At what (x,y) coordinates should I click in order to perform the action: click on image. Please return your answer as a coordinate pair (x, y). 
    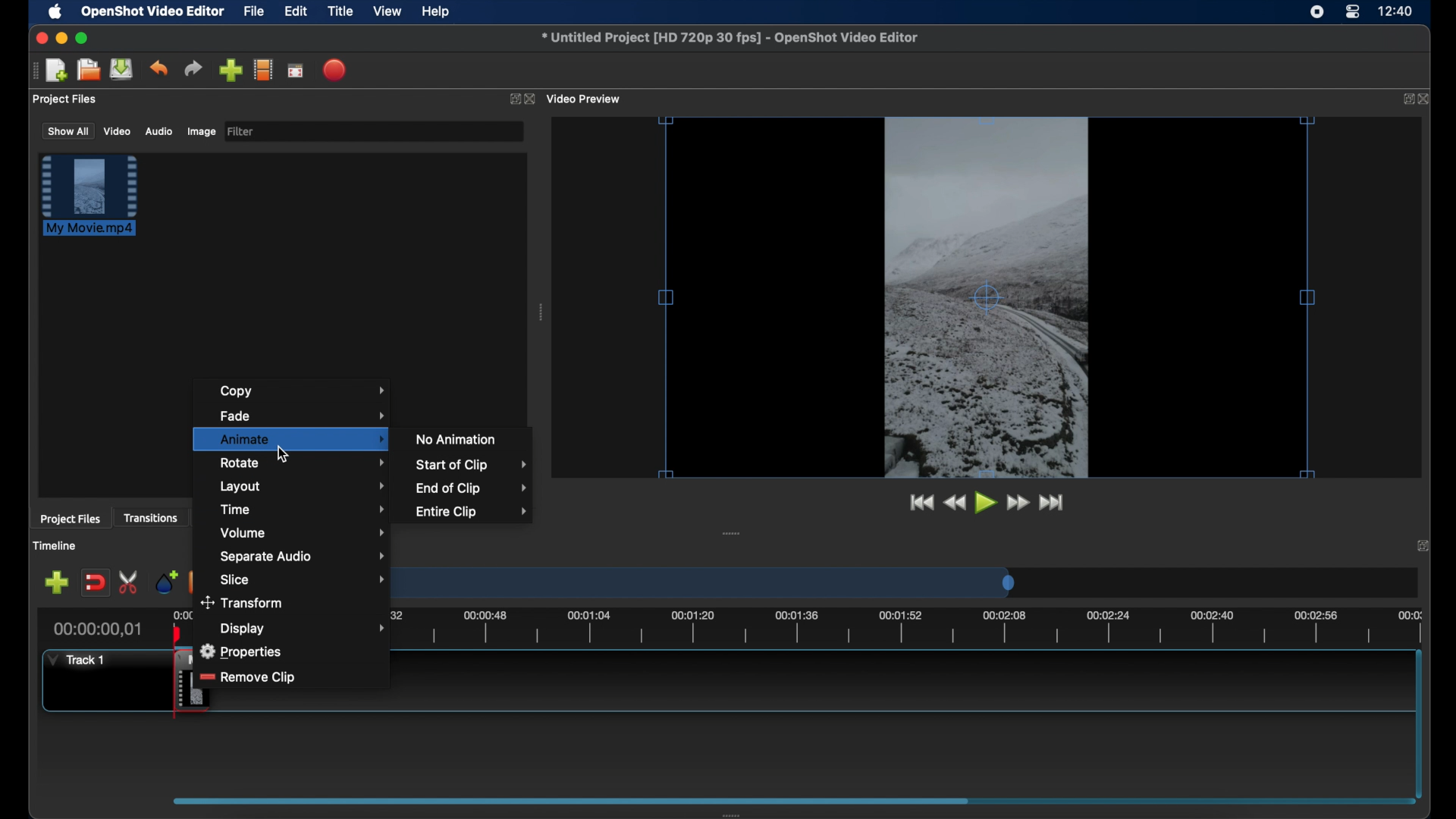
    Looking at the image, I should click on (200, 132).